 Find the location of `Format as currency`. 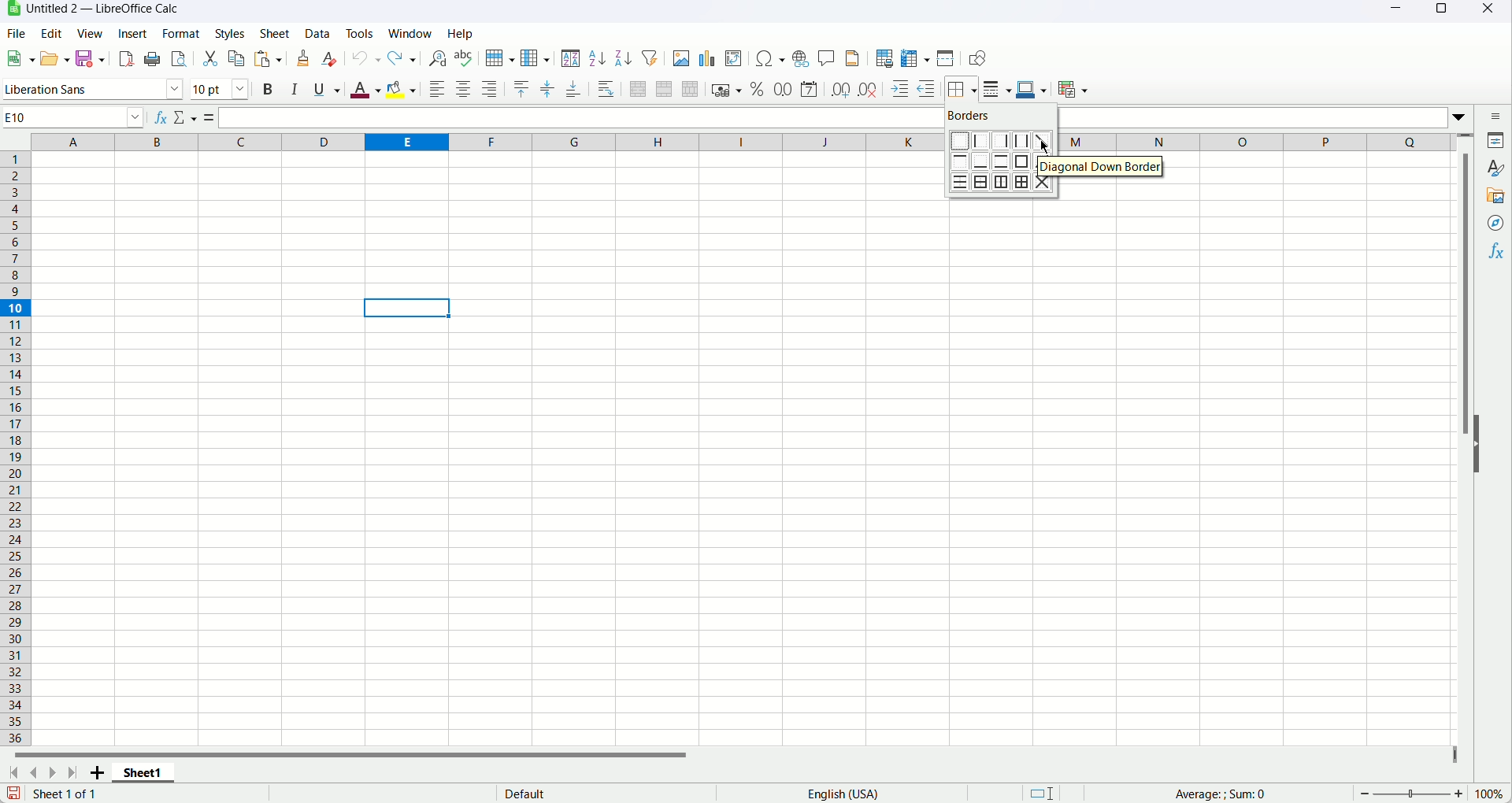

Format as currency is located at coordinates (727, 90).